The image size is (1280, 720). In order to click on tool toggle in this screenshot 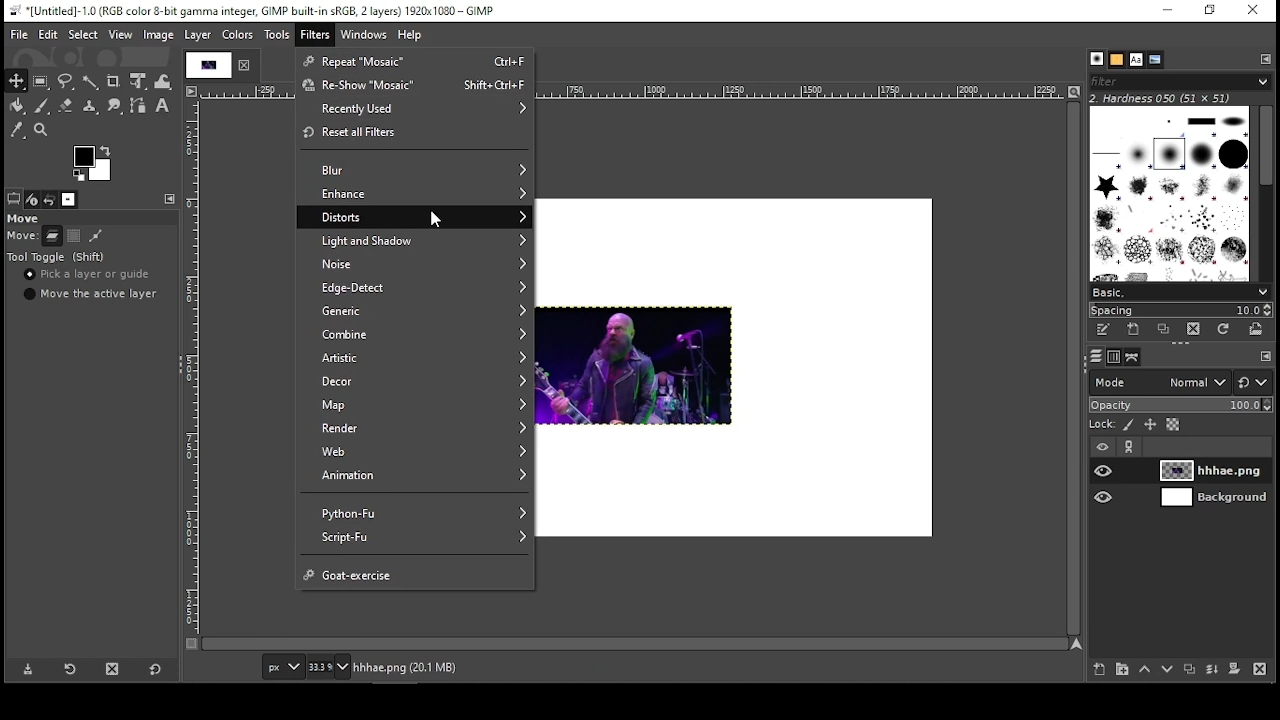, I will do `click(55, 257)`.